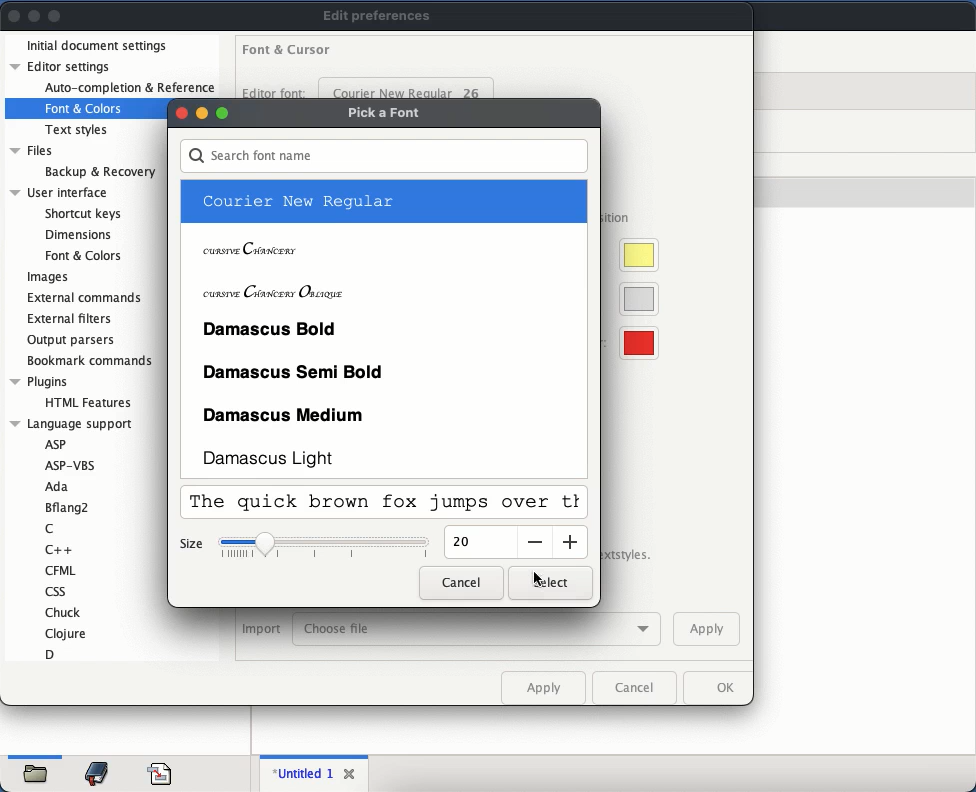 Image resolution: width=976 pixels, height=792 pixels. I want to click on D, so click(53, 653).